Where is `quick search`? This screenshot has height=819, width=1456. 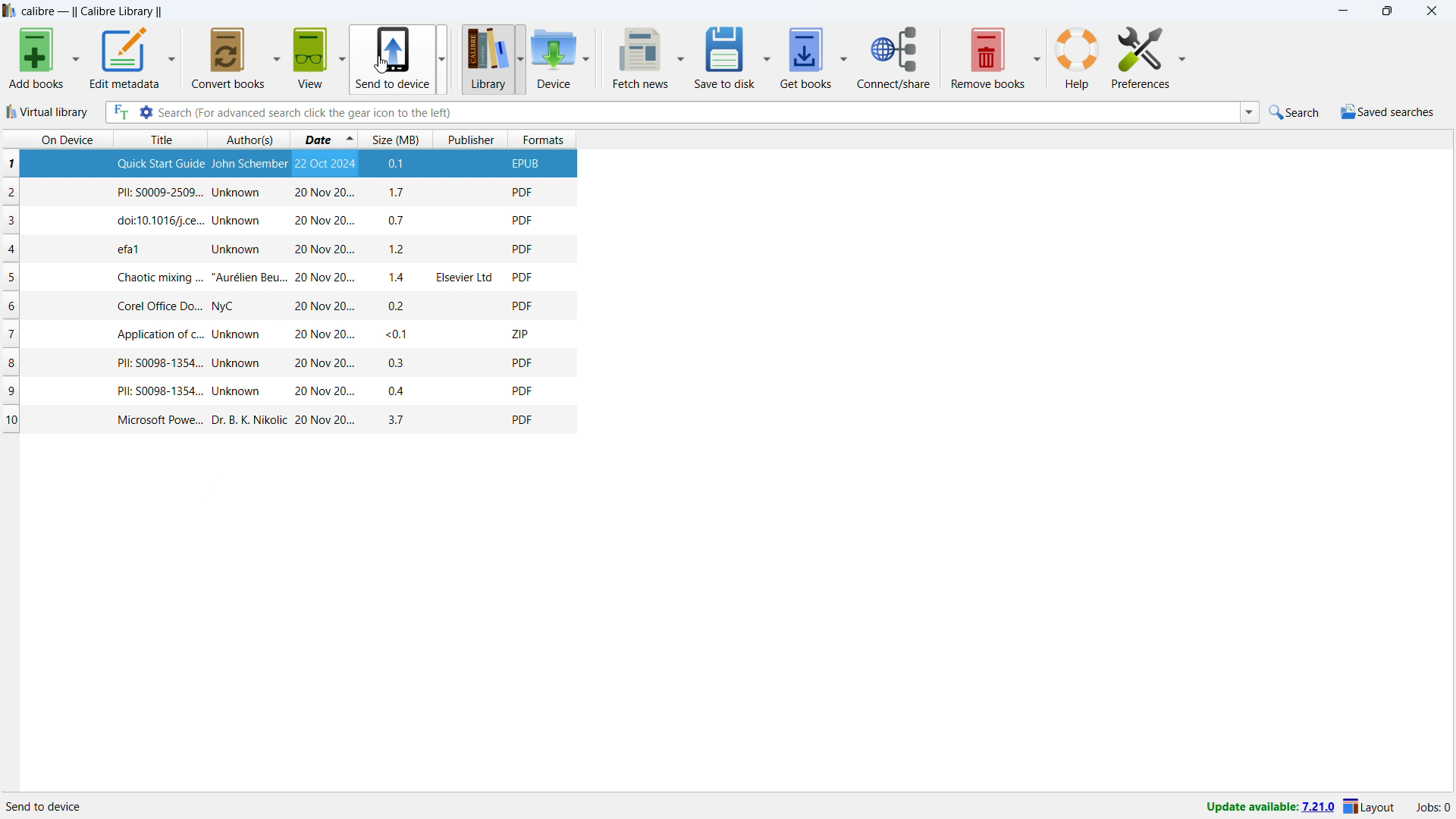
quick search is located at coordinates (1295, 112).